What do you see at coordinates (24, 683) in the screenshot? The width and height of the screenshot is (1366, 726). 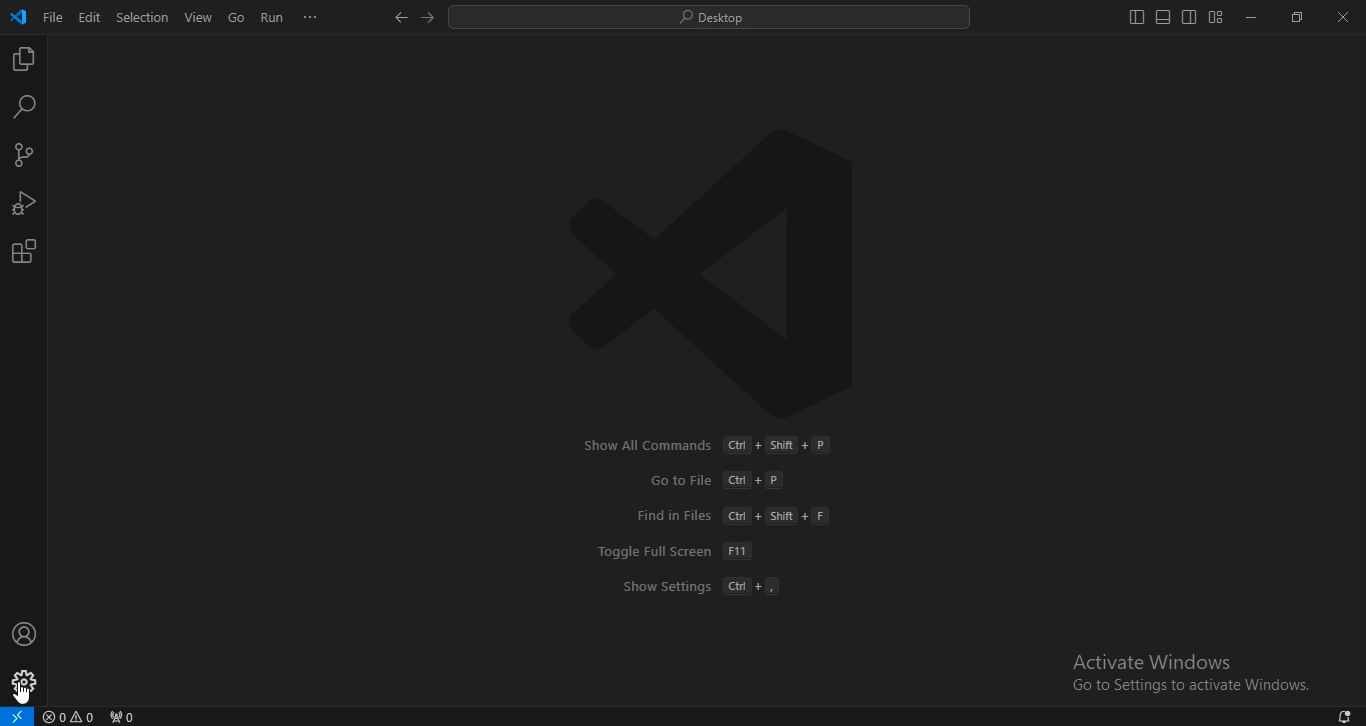 I see `profile` at bounding box center [24, 683].